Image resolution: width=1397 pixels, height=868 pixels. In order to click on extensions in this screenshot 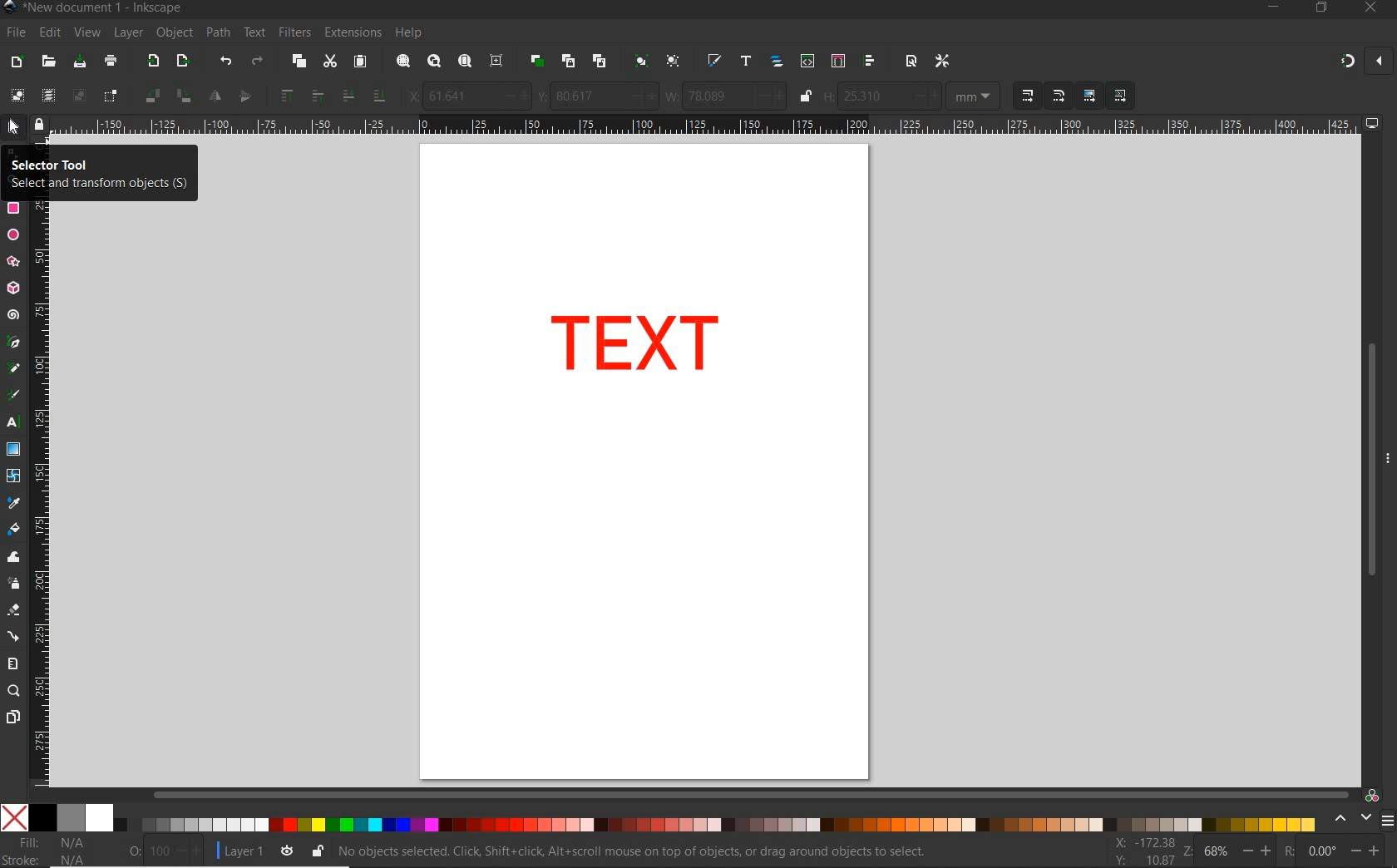, I will do `click(352, 32)`.